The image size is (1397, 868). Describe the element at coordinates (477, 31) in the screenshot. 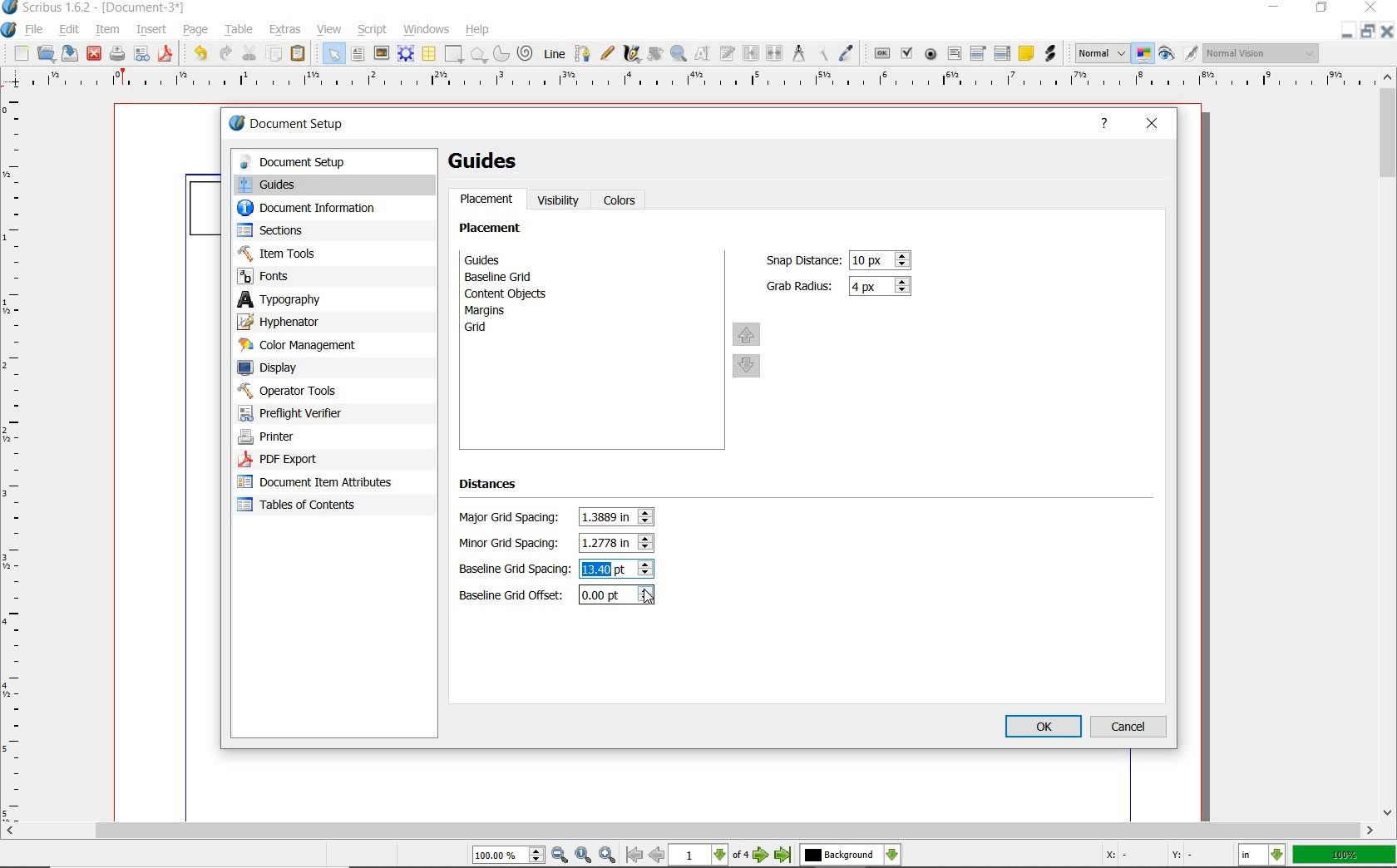

I see `help` at that location.